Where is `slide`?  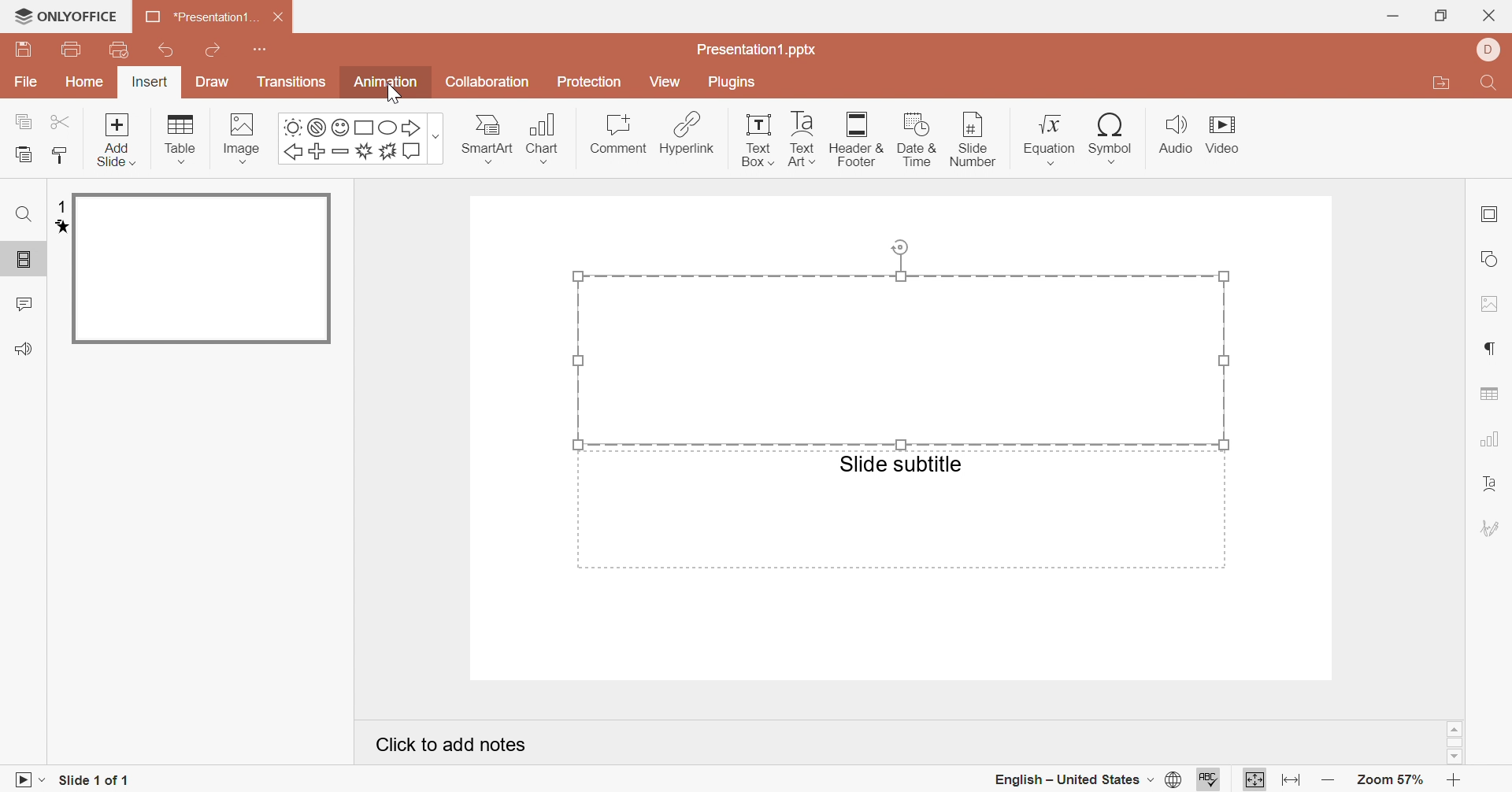
slide is located at coordinates (26, 261).